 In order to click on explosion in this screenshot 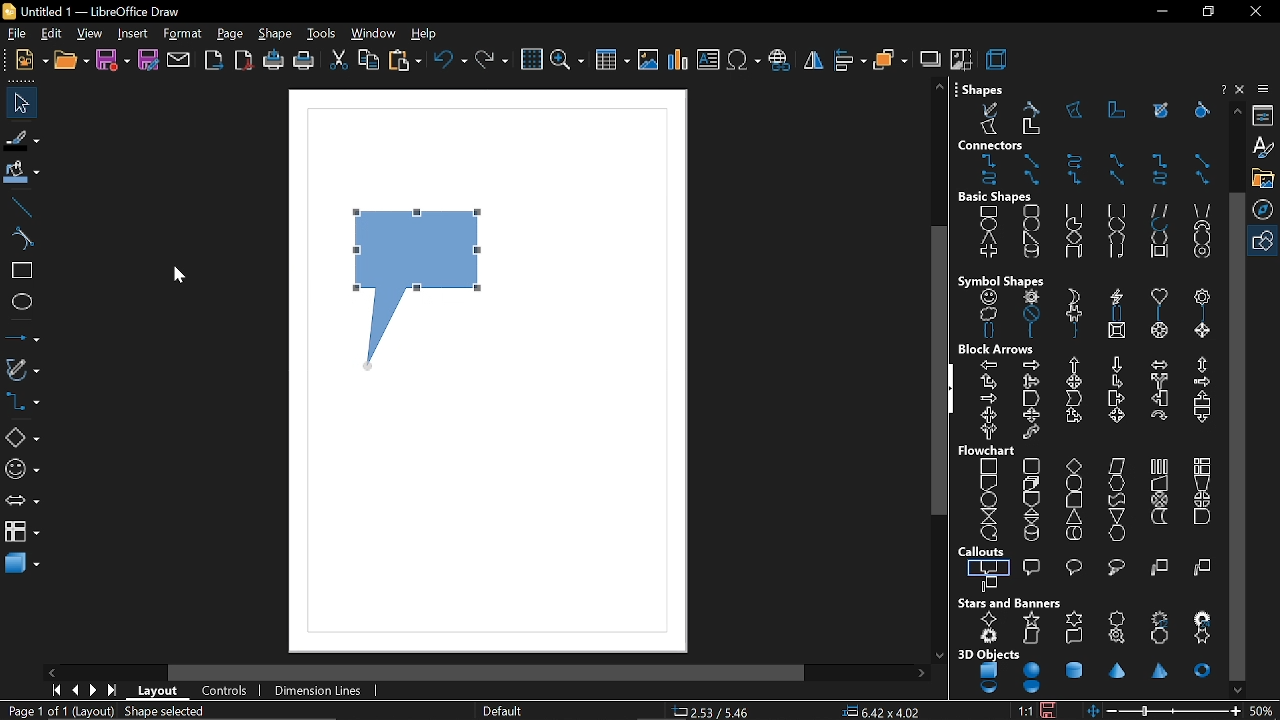, I will do `click(990, 637)`.